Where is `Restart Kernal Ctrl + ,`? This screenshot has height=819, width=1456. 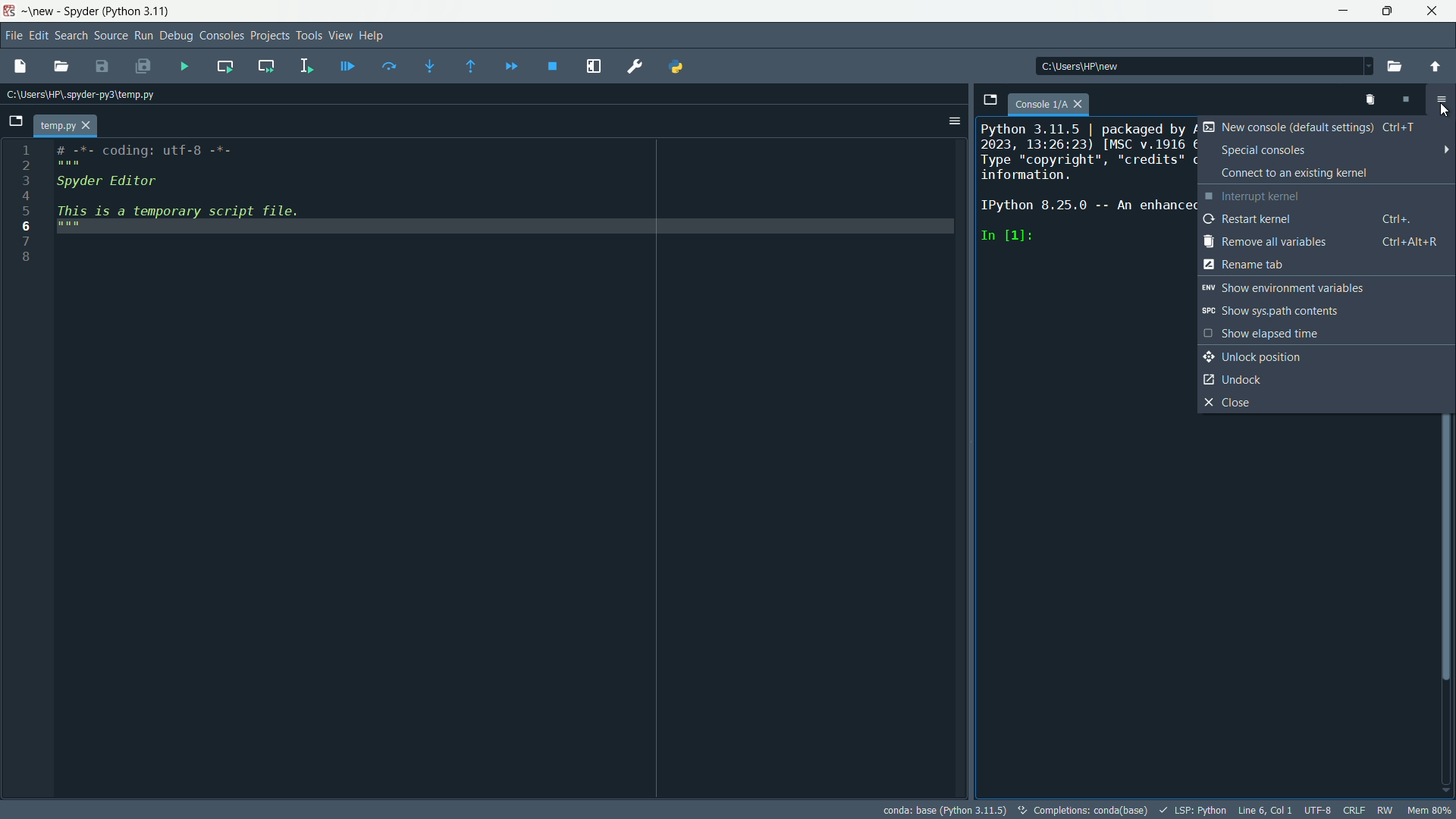
Restart Kernal Ctrl + , is located at coordinates (1316, 219).